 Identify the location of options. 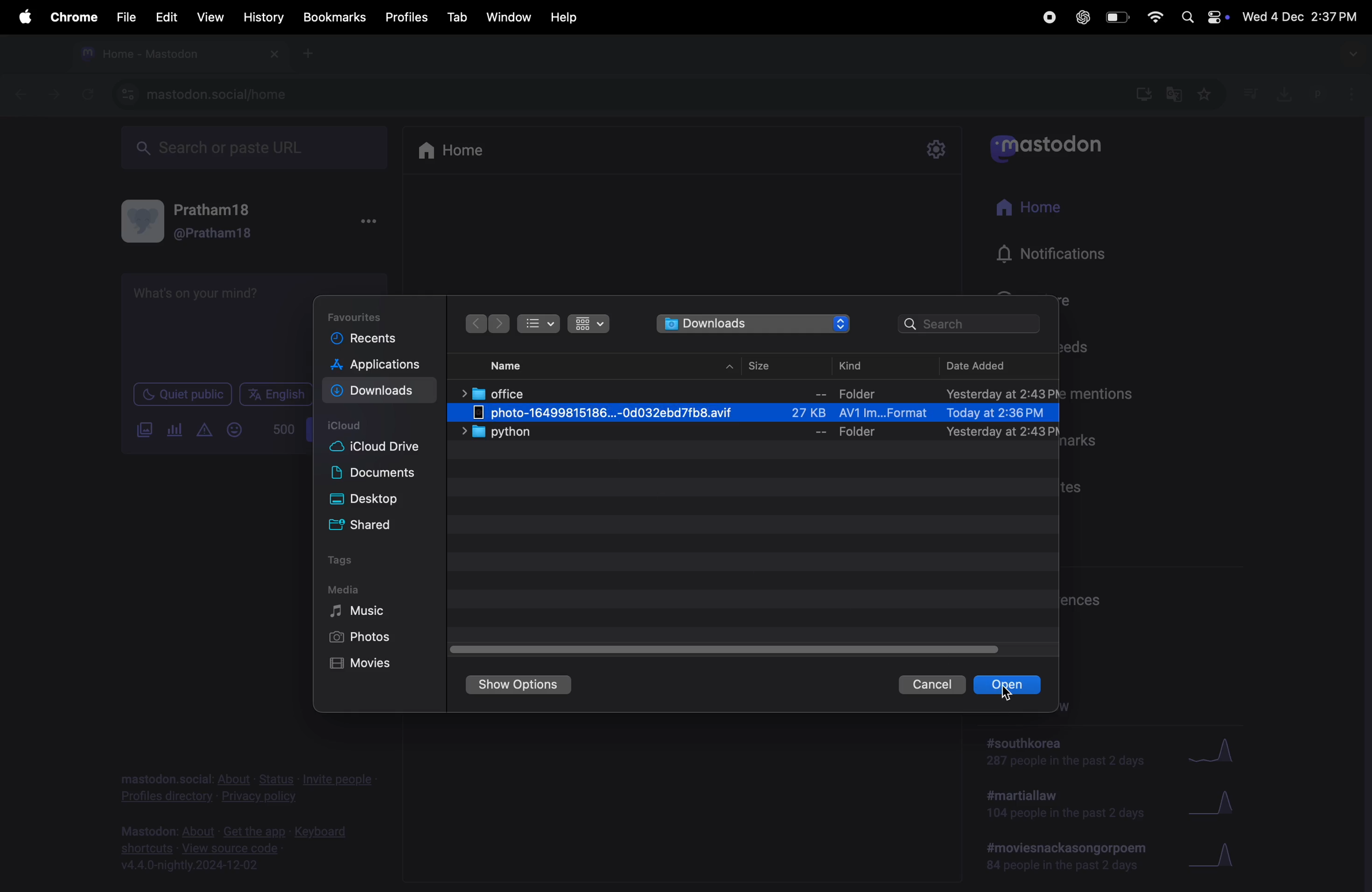
(367, 222).